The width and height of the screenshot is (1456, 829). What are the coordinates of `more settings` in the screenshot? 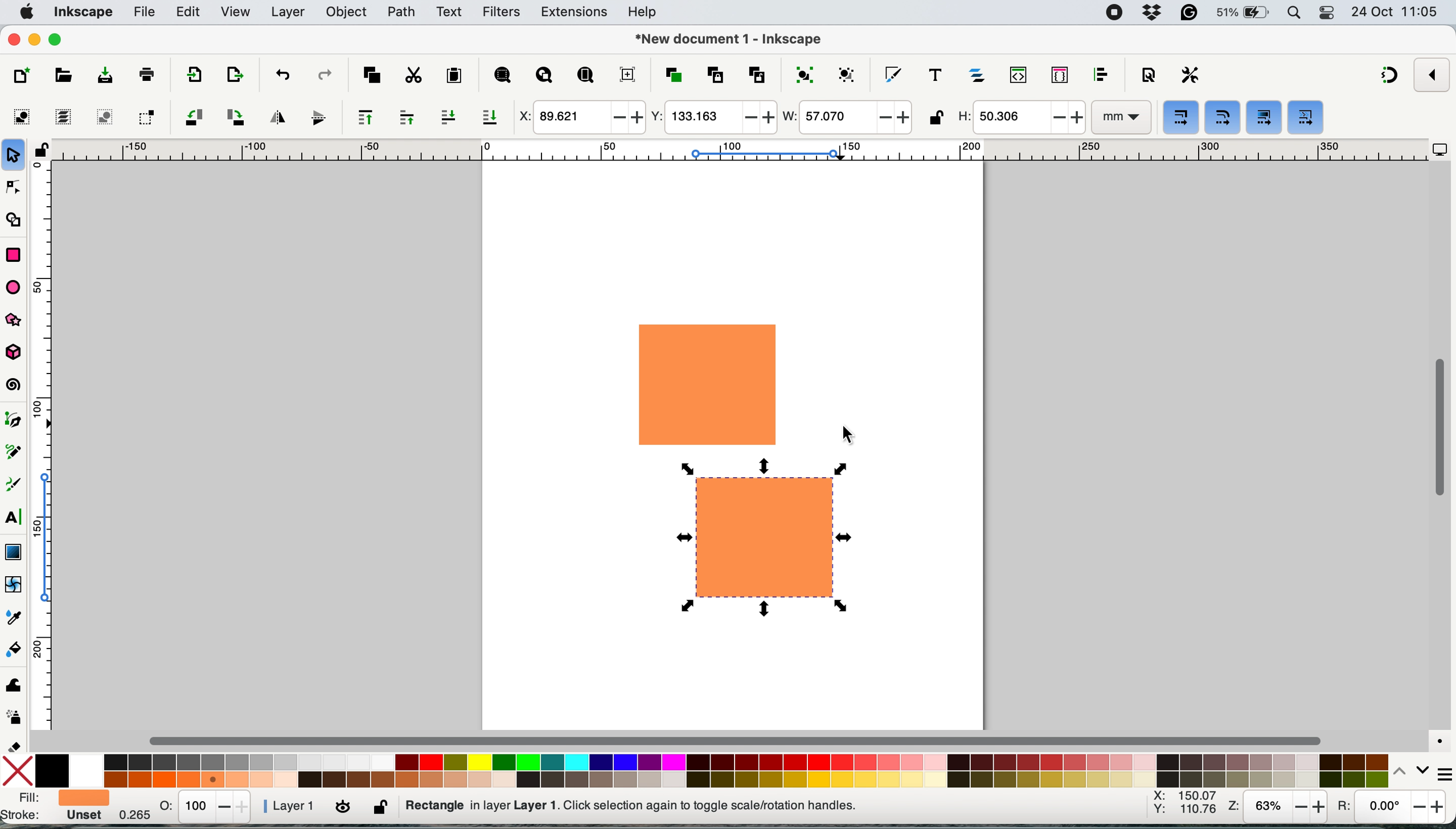 It's located at (1438, 771).